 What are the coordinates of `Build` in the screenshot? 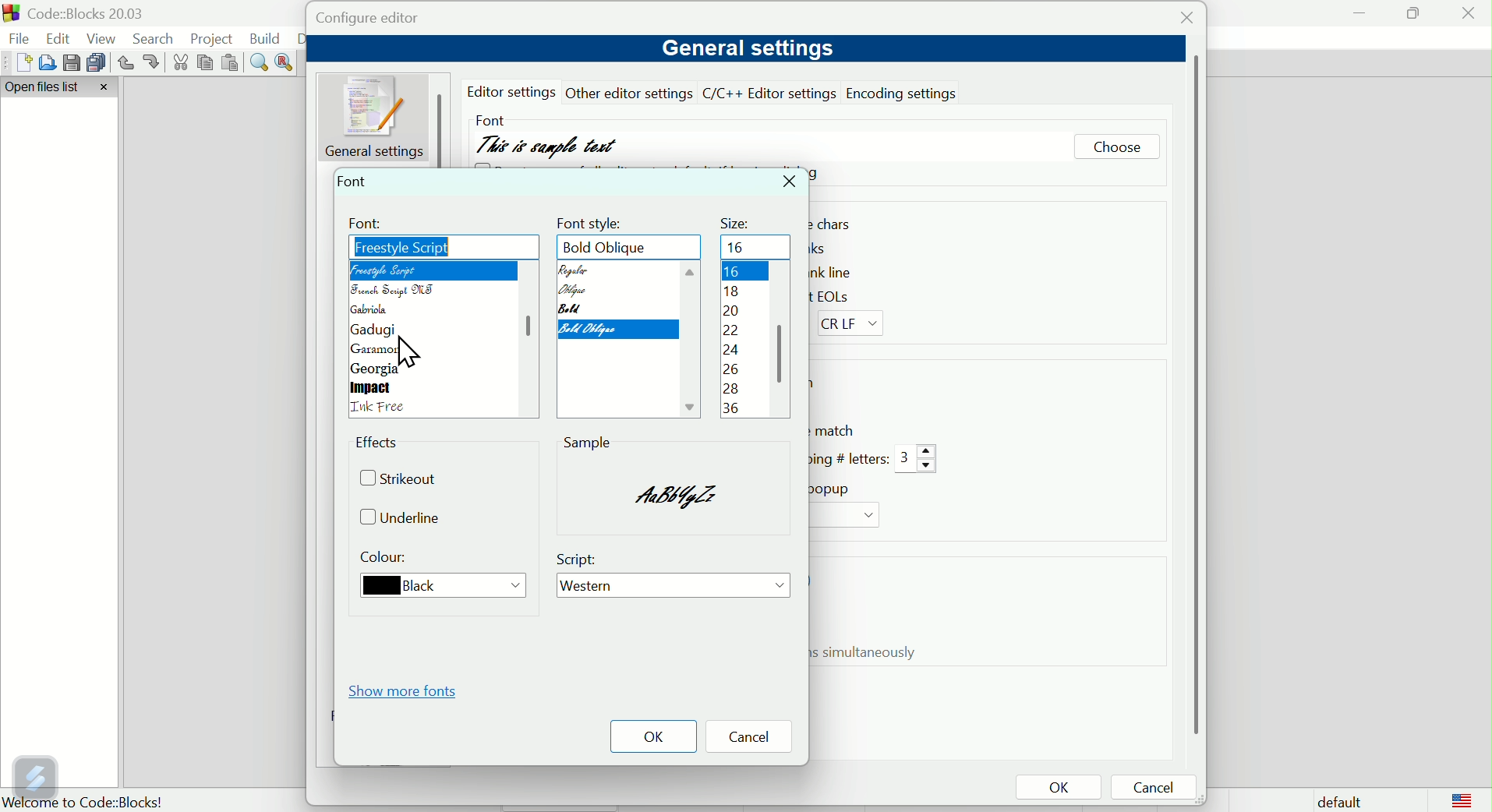 It's located at (266, 38).